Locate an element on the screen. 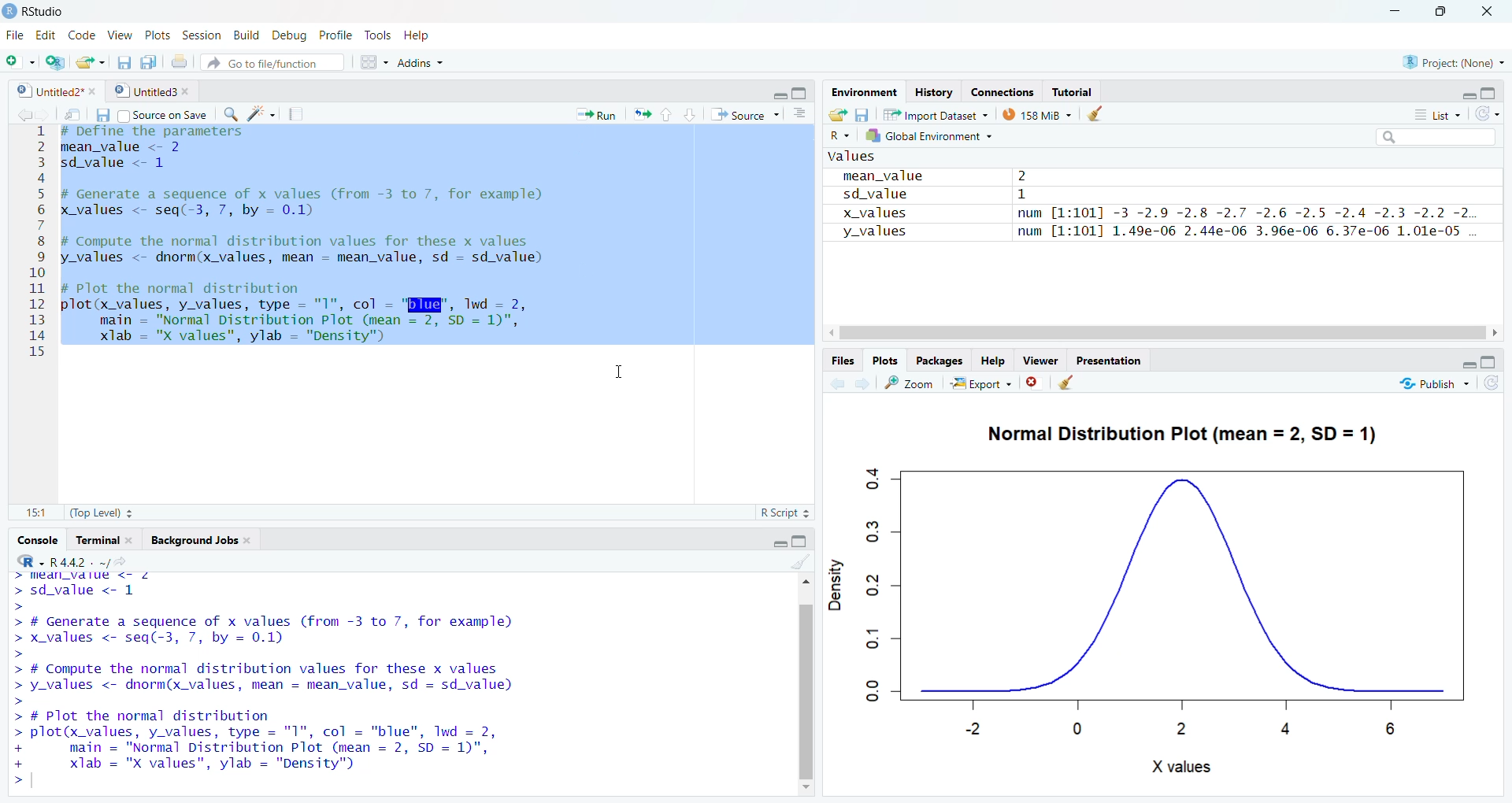  search is located at coordinates (1432, 138).